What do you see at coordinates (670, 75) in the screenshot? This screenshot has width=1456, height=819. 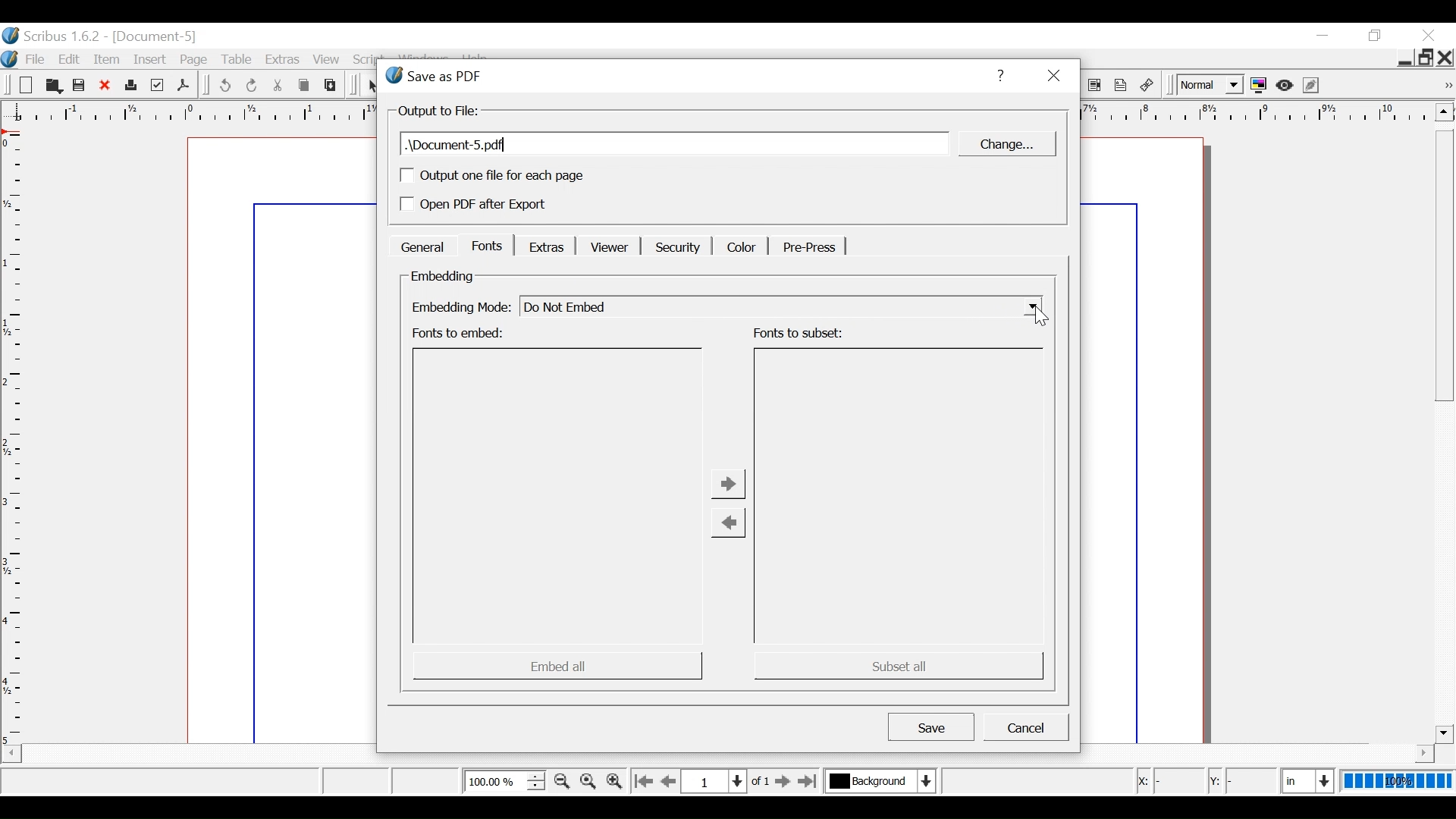 I see `Save as PDF` at bounding box center [670, 75].